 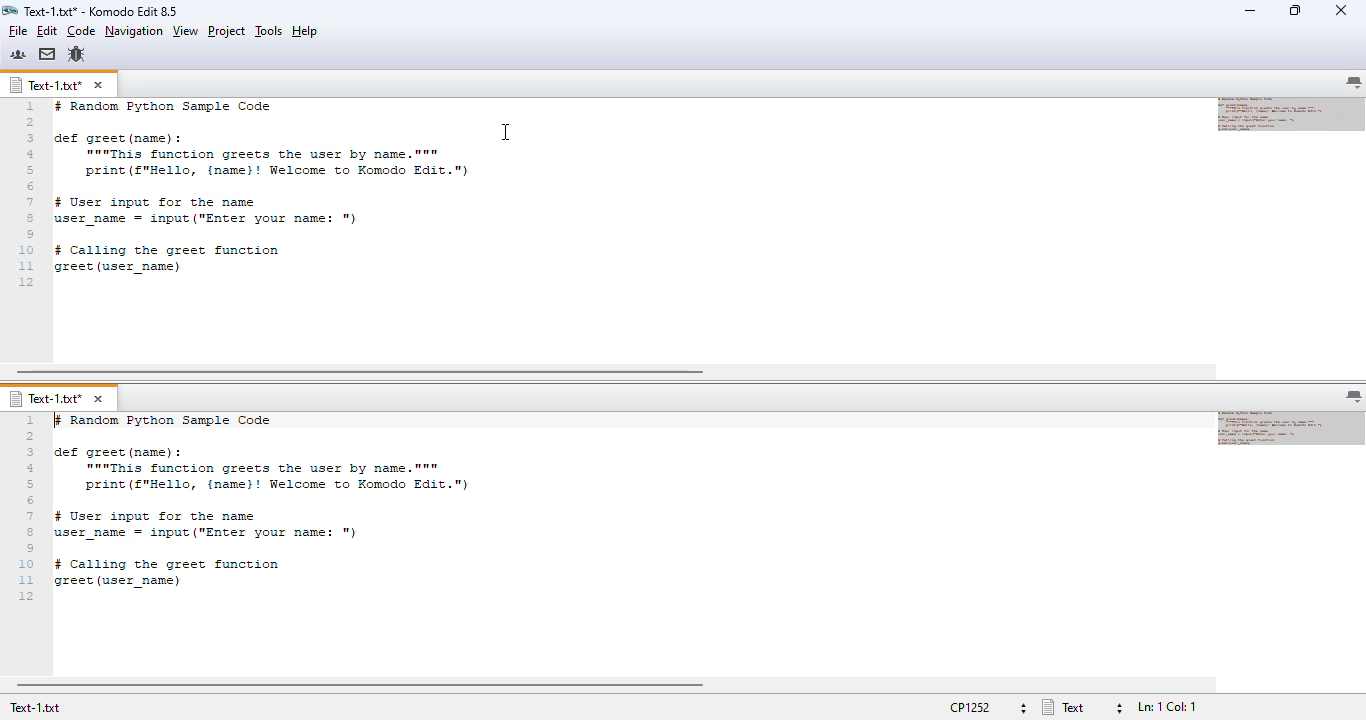 I want to click on komodo community, so click(x=18, y=54).